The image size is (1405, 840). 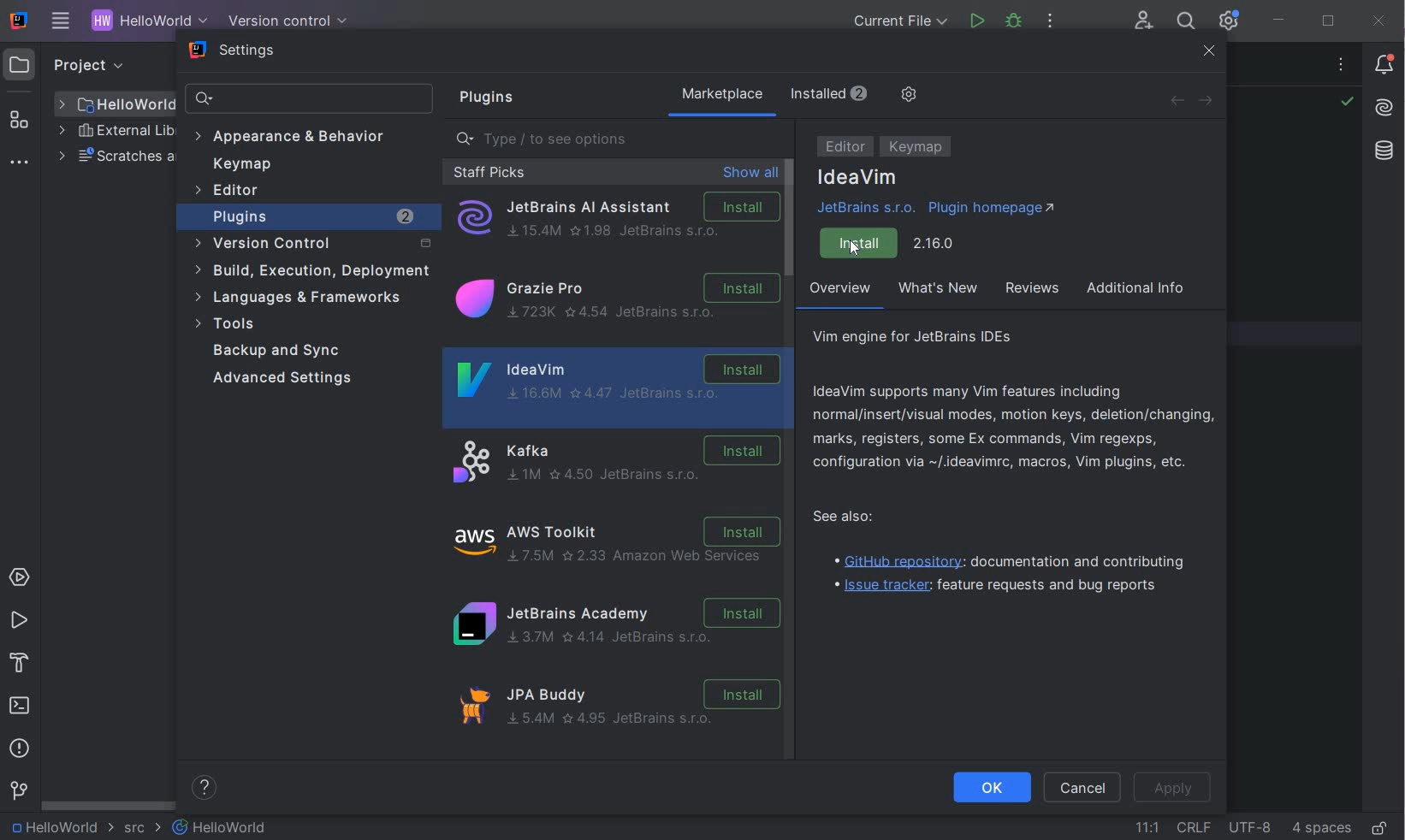 What do you see at coordinates (483, 98) in the screenshot?
I see `plugins` at bounding box center [483, 98].